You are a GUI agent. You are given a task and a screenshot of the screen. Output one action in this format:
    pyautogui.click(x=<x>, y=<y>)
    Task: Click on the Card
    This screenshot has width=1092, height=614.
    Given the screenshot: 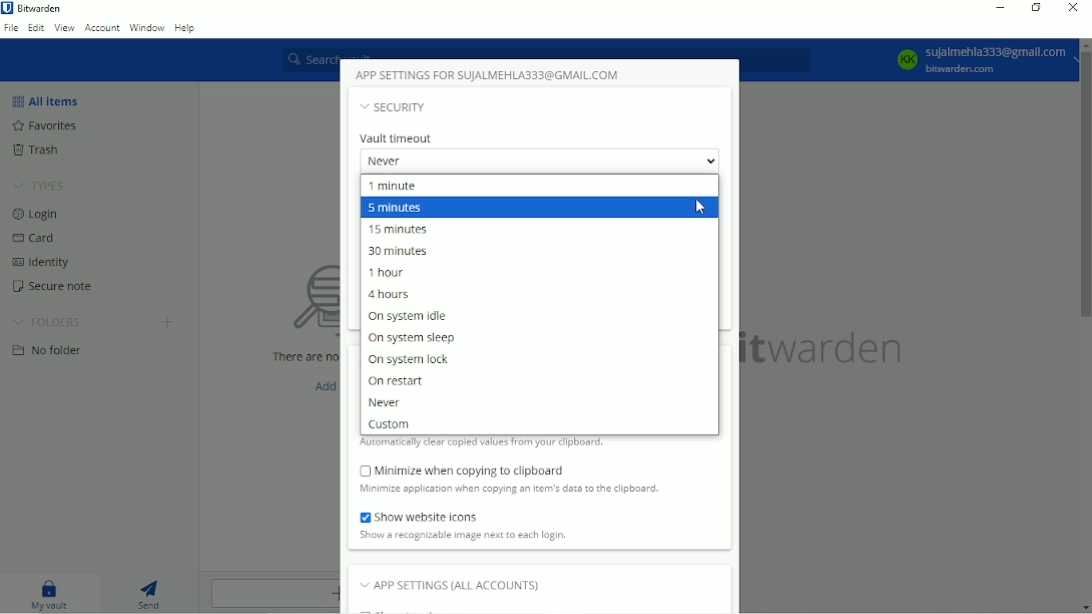 What is the action you would take?
    pyautogui.click(x=37, y=239)
    